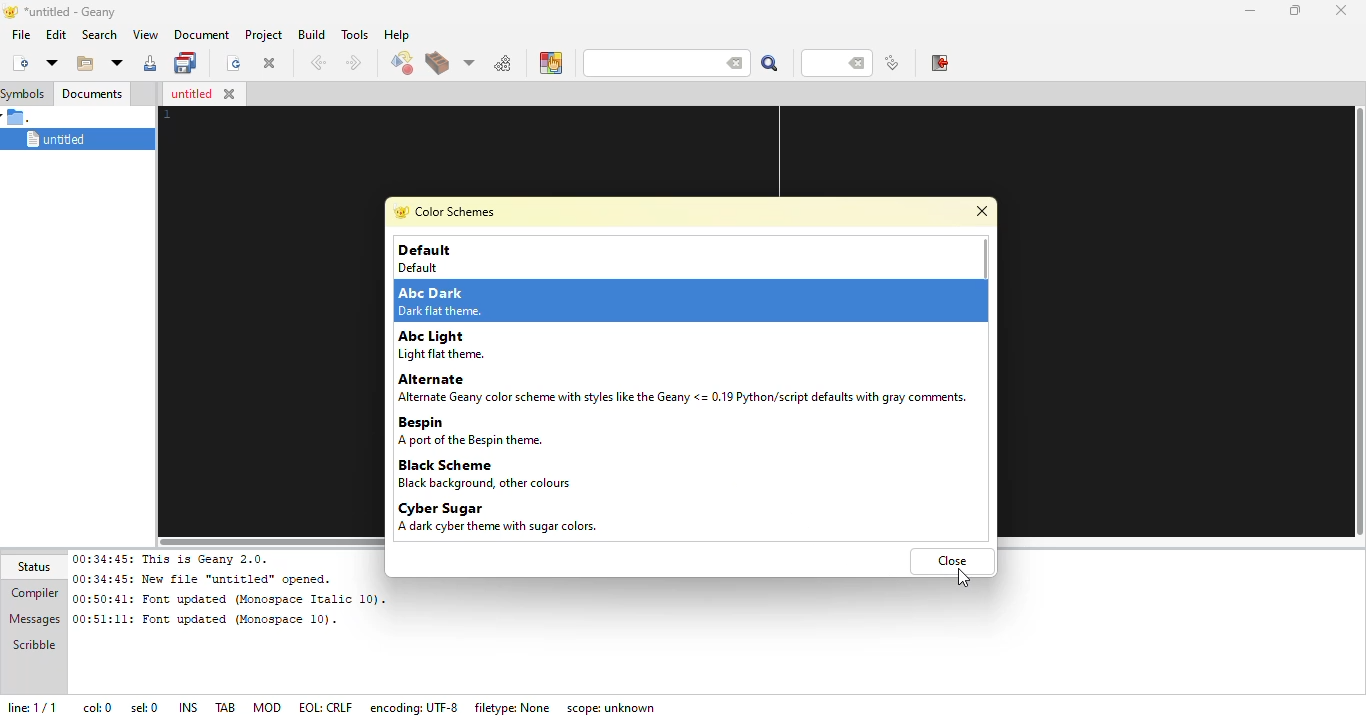 The width and height of the screenshot is (1366, 720). I want to click on 00:34:45: This is Geany 2.0.00:34:45: New file “untitled” opened.00:50:41: Font updated (Monospace Italic 10). 00:51:11: Font updated (Monospace 10)., so click(228, 589).